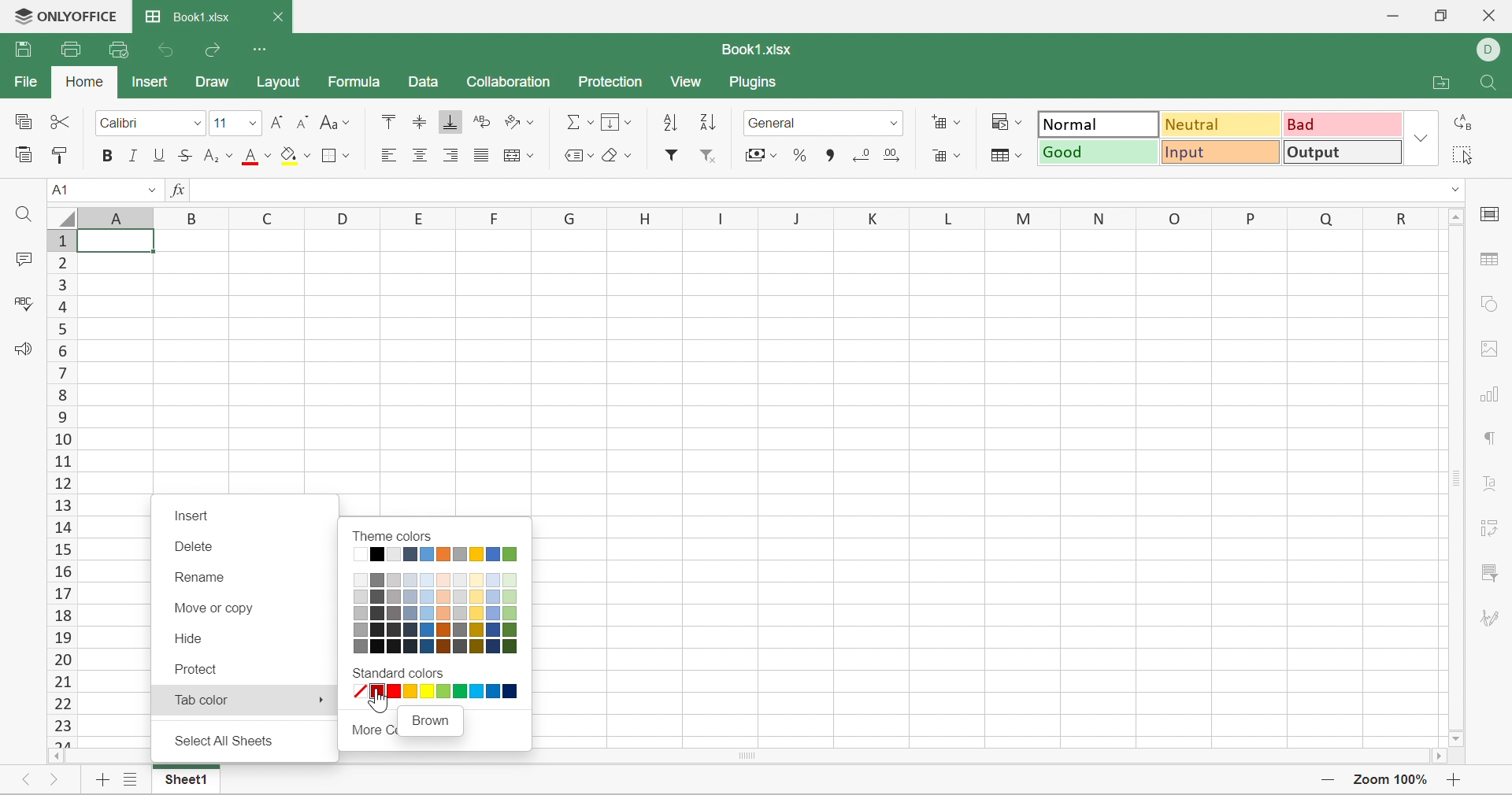 This screenshot has height=795, width=1512. Describe the element at coordinates (58, 327) in the screenshot. I see `4` at that location.